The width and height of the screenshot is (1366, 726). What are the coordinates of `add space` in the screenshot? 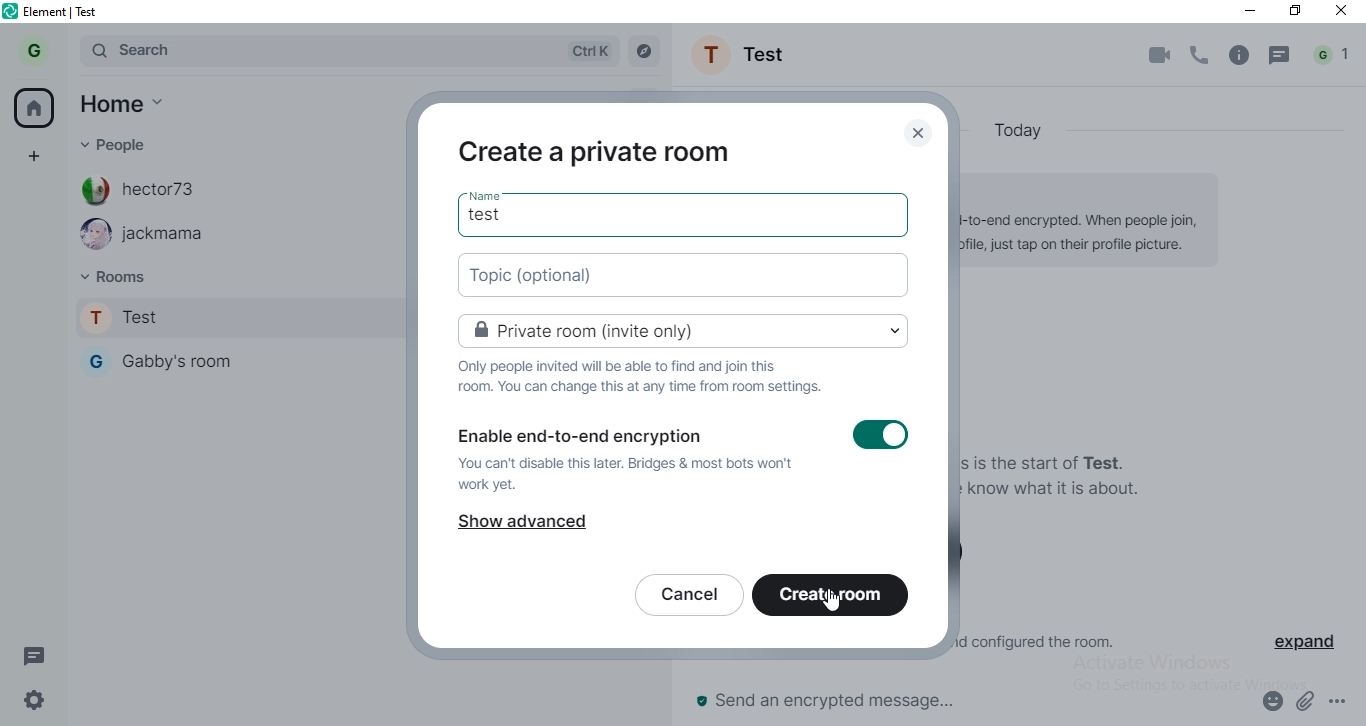 It's located at (37, 164).